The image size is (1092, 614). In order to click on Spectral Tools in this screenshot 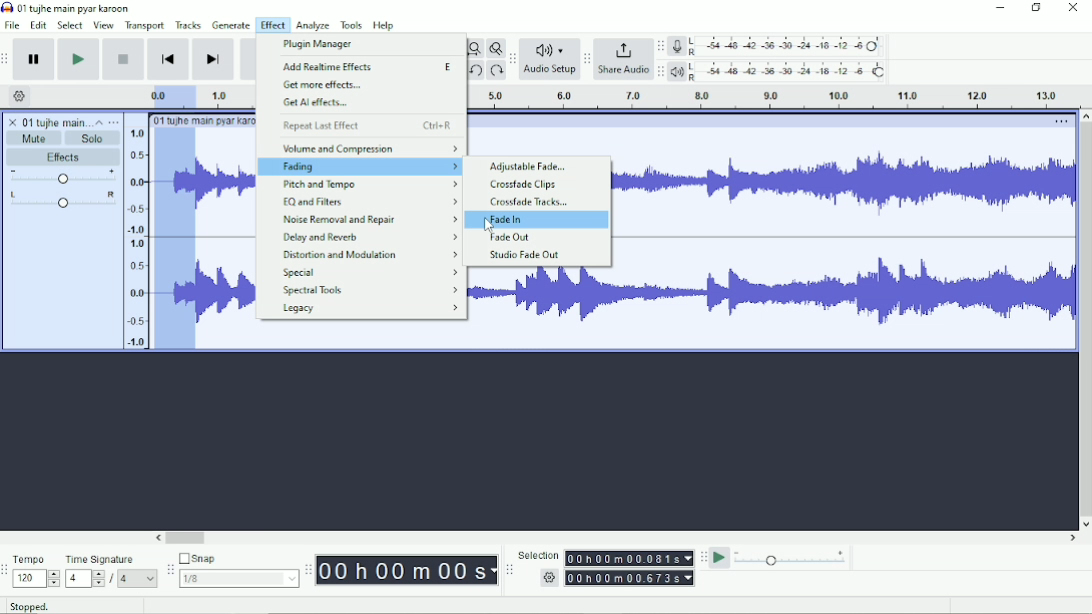, I will do `click(368, 290)`.